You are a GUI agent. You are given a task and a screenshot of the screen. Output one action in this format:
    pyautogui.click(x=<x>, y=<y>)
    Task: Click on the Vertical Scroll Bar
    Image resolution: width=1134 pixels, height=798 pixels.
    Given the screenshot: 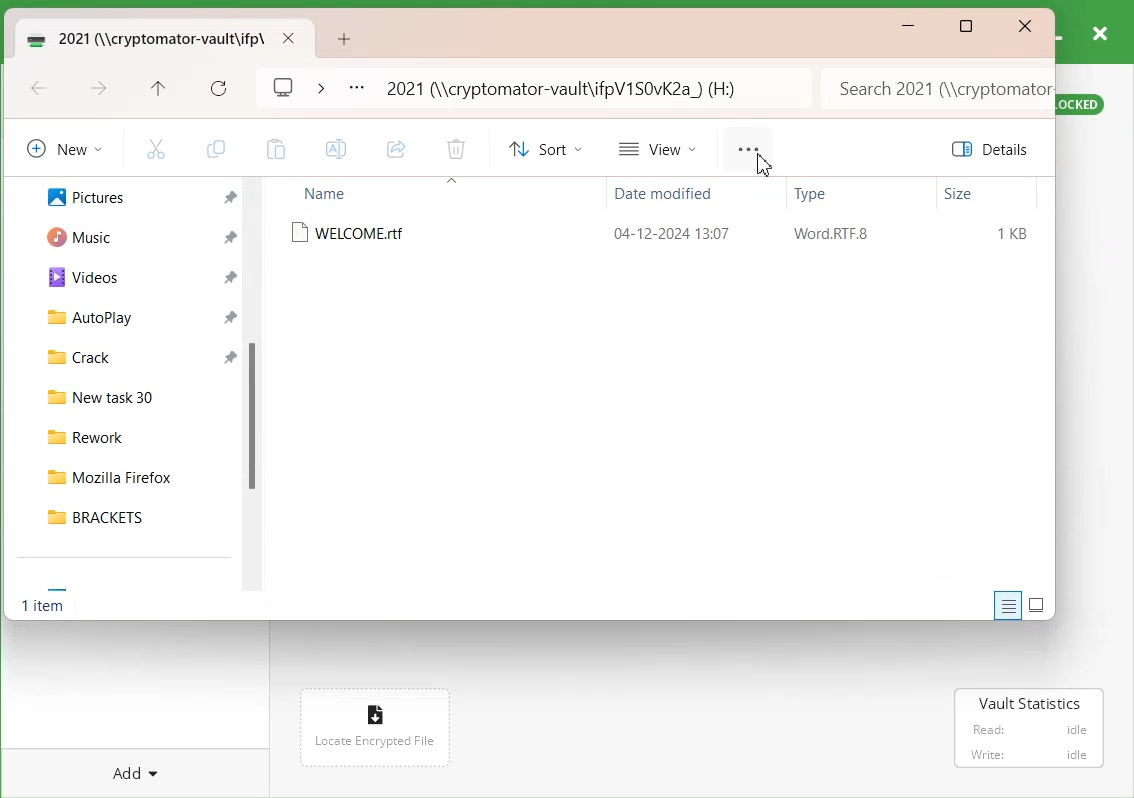 What is the action you would take?
    pyautogui.click(x=254, y=384)
    